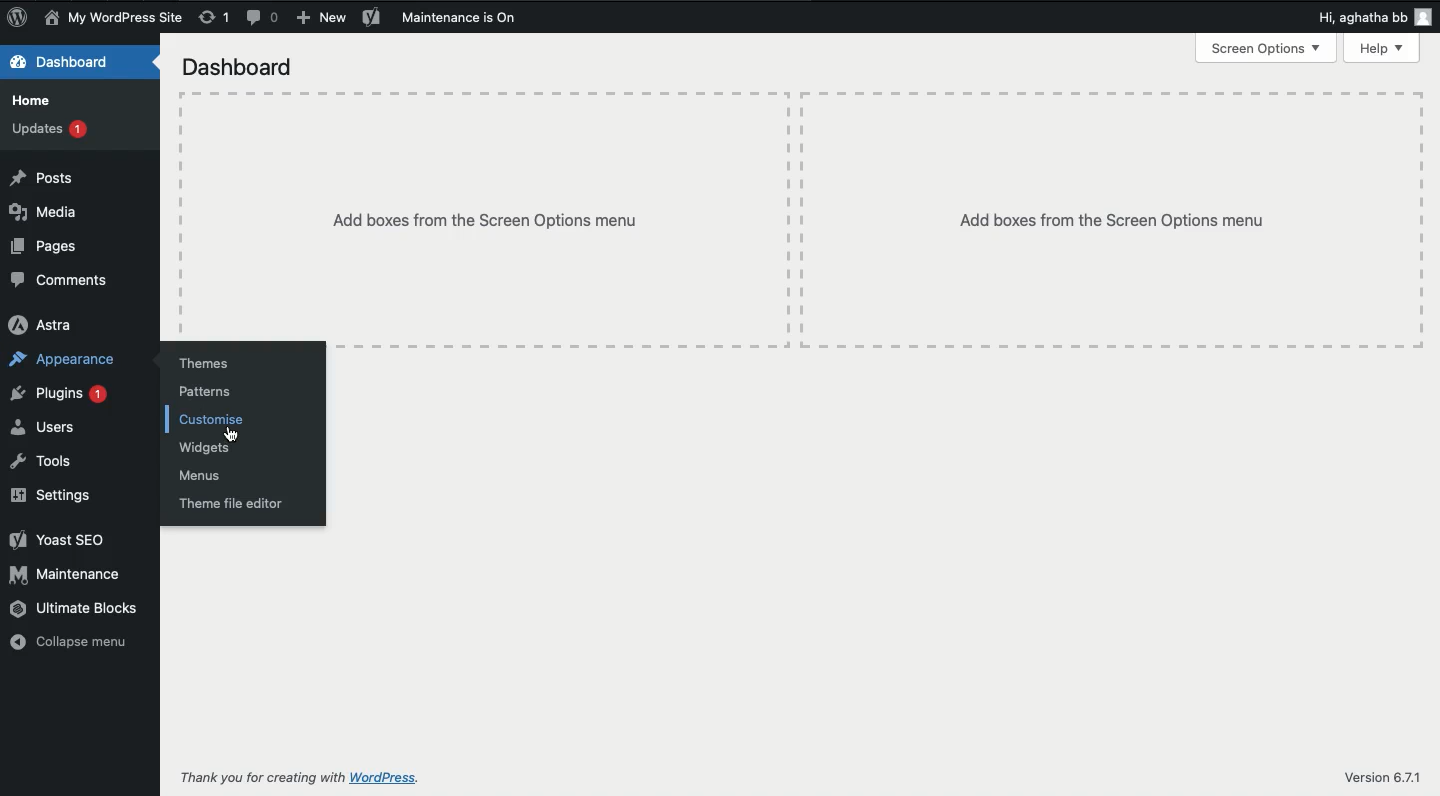 This screenshot has width=1440, height=796. What do you see at coordinates (374, 17) in the screenshot?
I see `Yoast` at bounding box center [374, 17].